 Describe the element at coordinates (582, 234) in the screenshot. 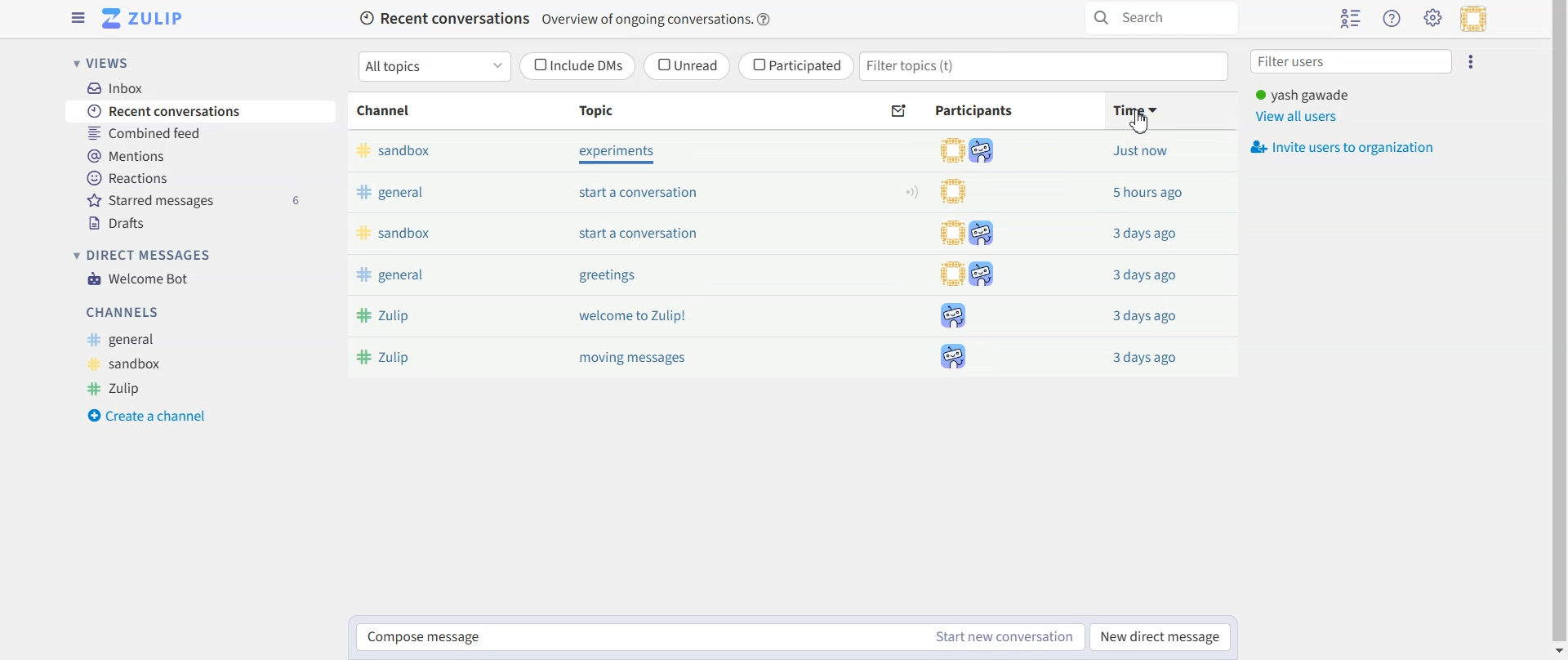

I see `sandbox start a conversation` at that location.